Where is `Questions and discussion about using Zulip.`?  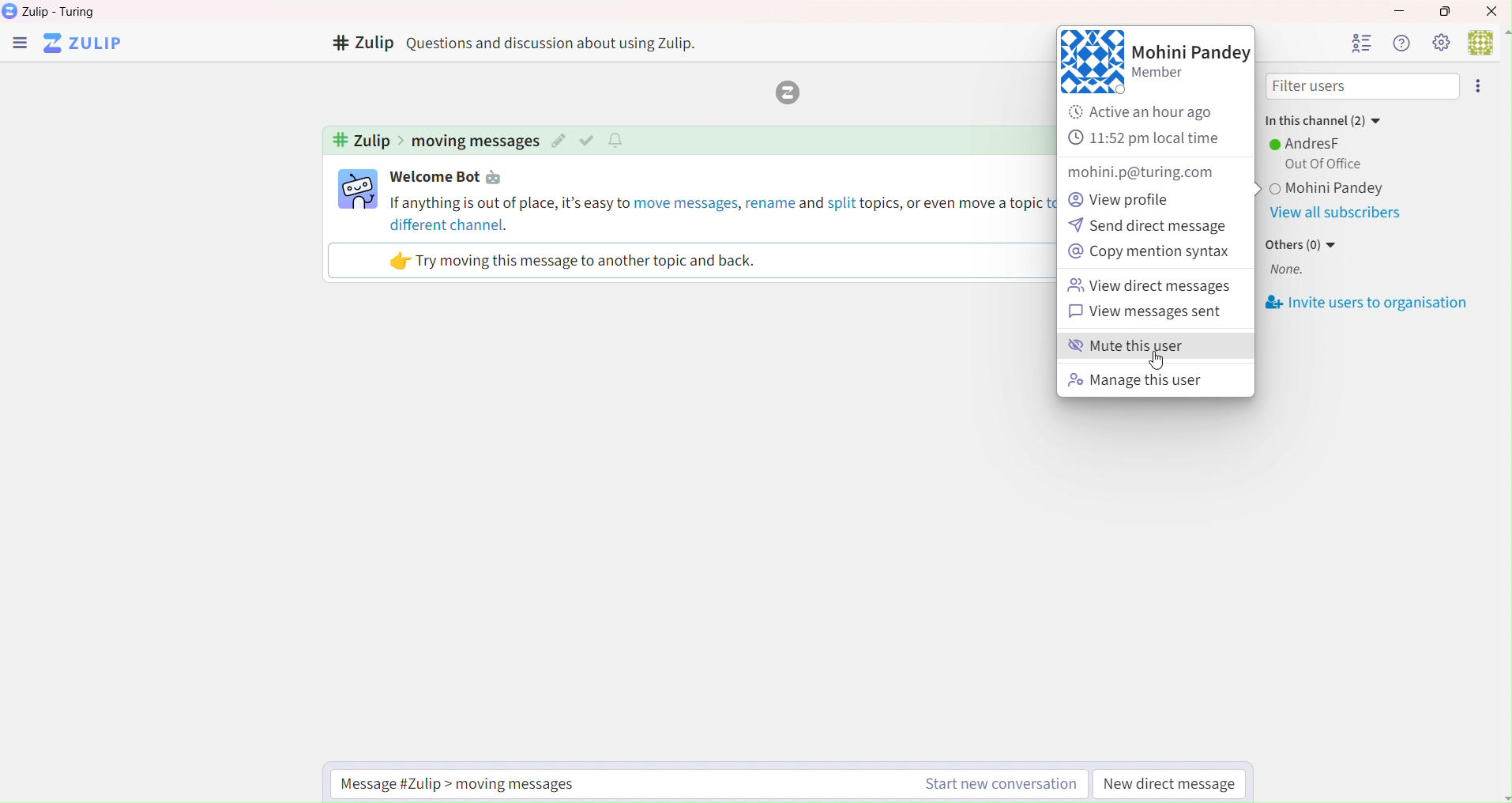 Questions and discussion about using Zulip. is located at coordinates (559, 43).